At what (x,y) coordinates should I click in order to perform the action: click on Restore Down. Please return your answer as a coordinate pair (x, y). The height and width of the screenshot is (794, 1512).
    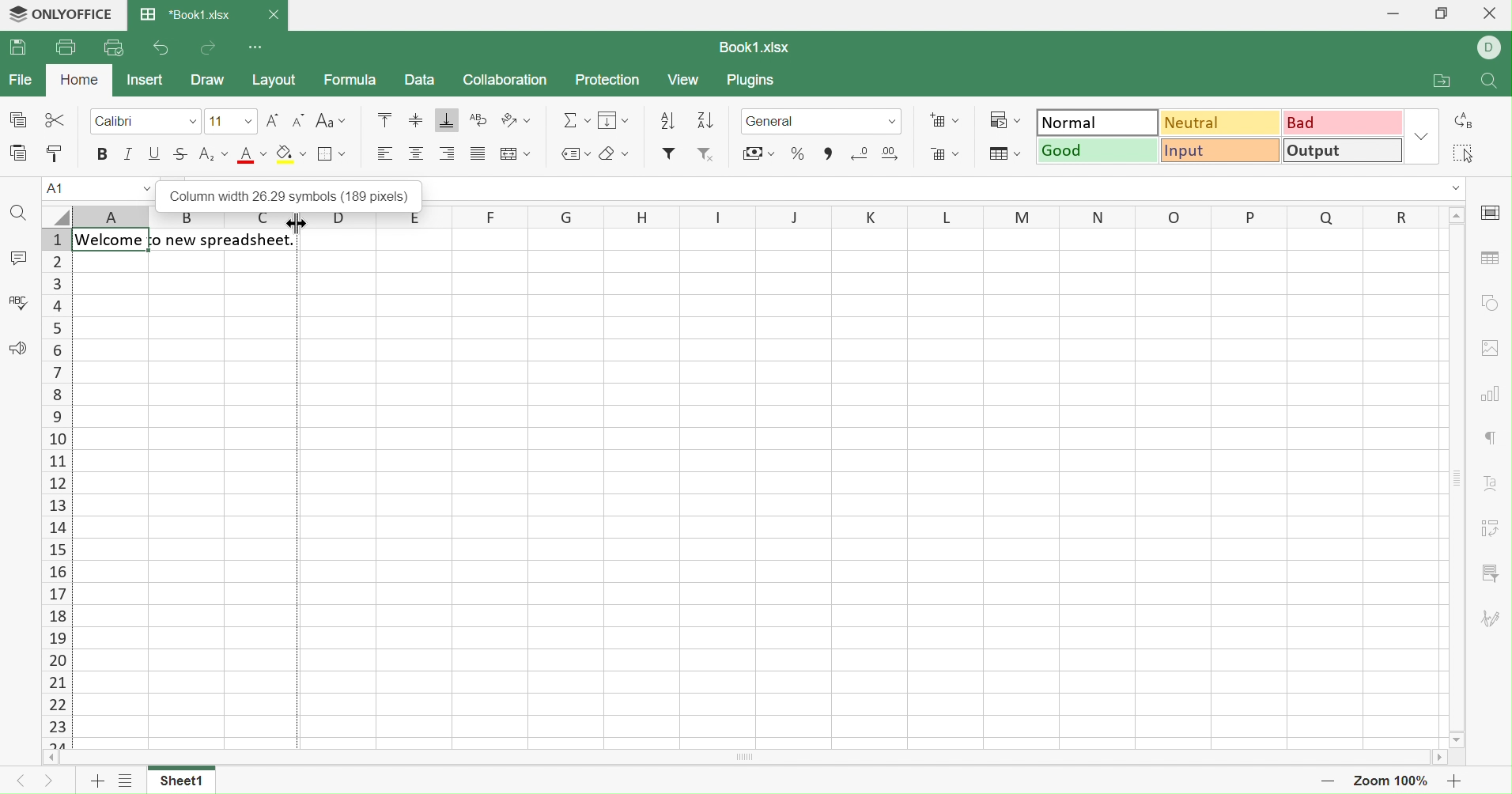
    Looking at the image, I should click on (1446, 13).